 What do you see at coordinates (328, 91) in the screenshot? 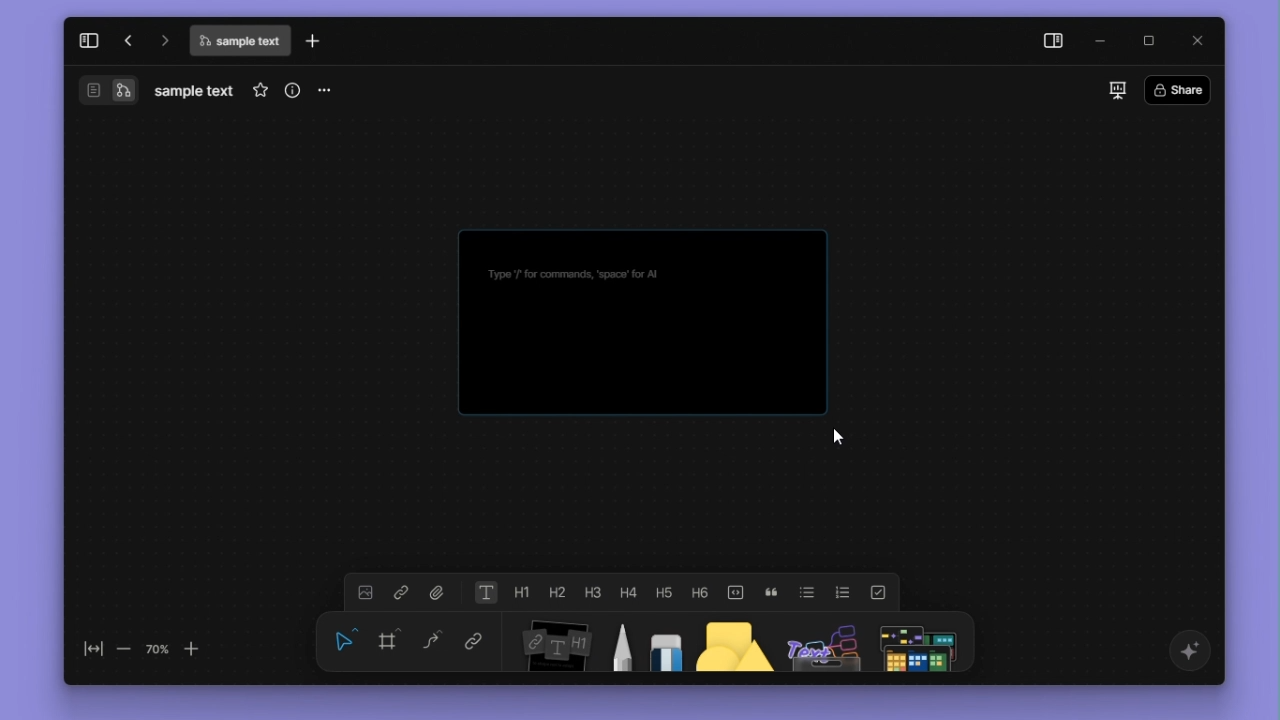
I see `more options` at bounding box center [328, 91].